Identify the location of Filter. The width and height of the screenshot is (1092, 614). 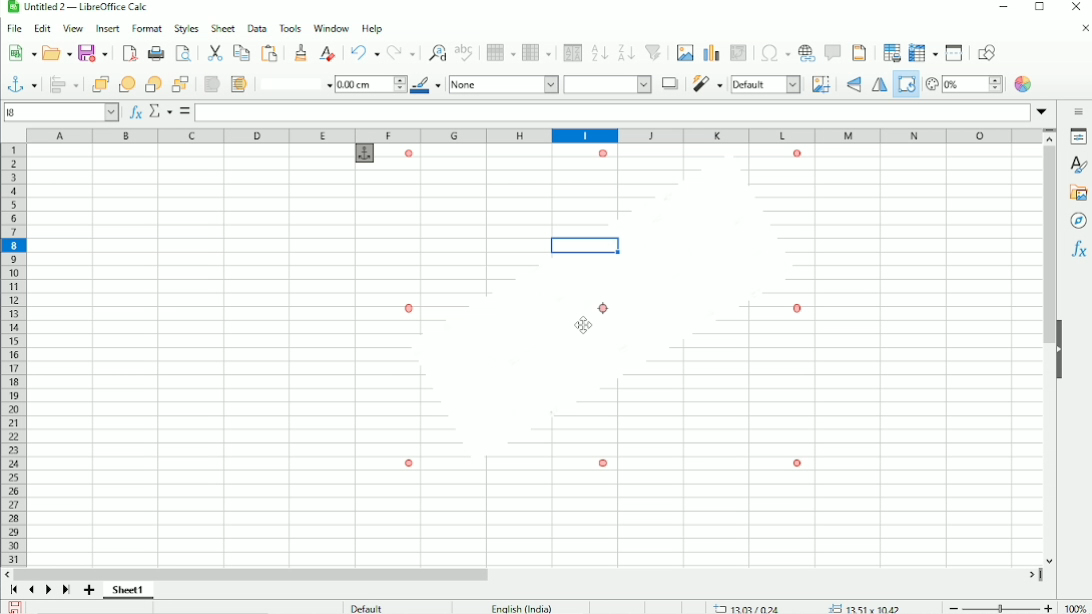
(707, 84).